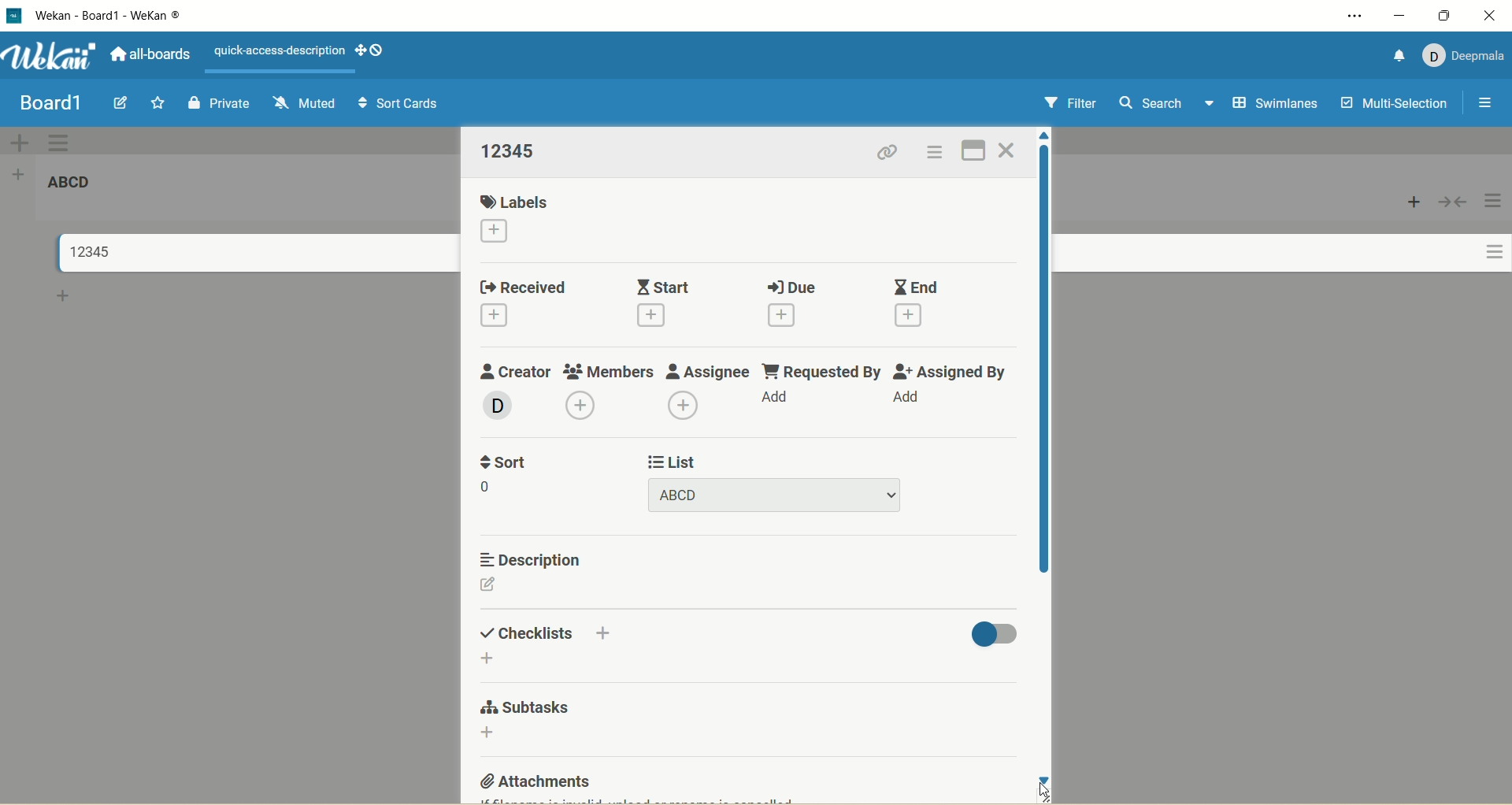 This screenshot has height=805, width=1512. I want to click on actions, so click(932, 155).